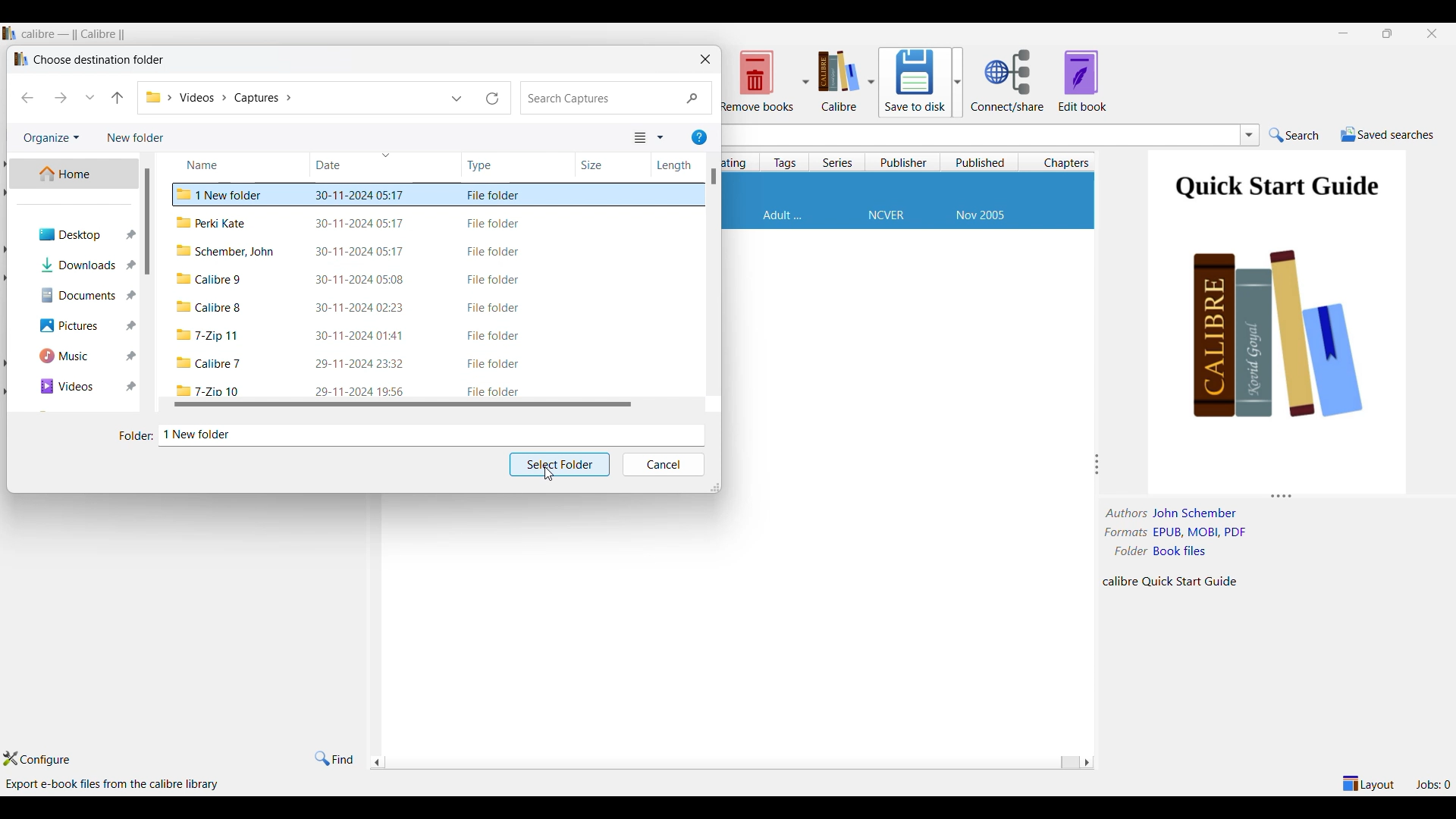 The image size is (1456, 819). What do you see at coordinates (560, 465) in the screenshot?
I see `Select folder` at bounding box center [560, 465].